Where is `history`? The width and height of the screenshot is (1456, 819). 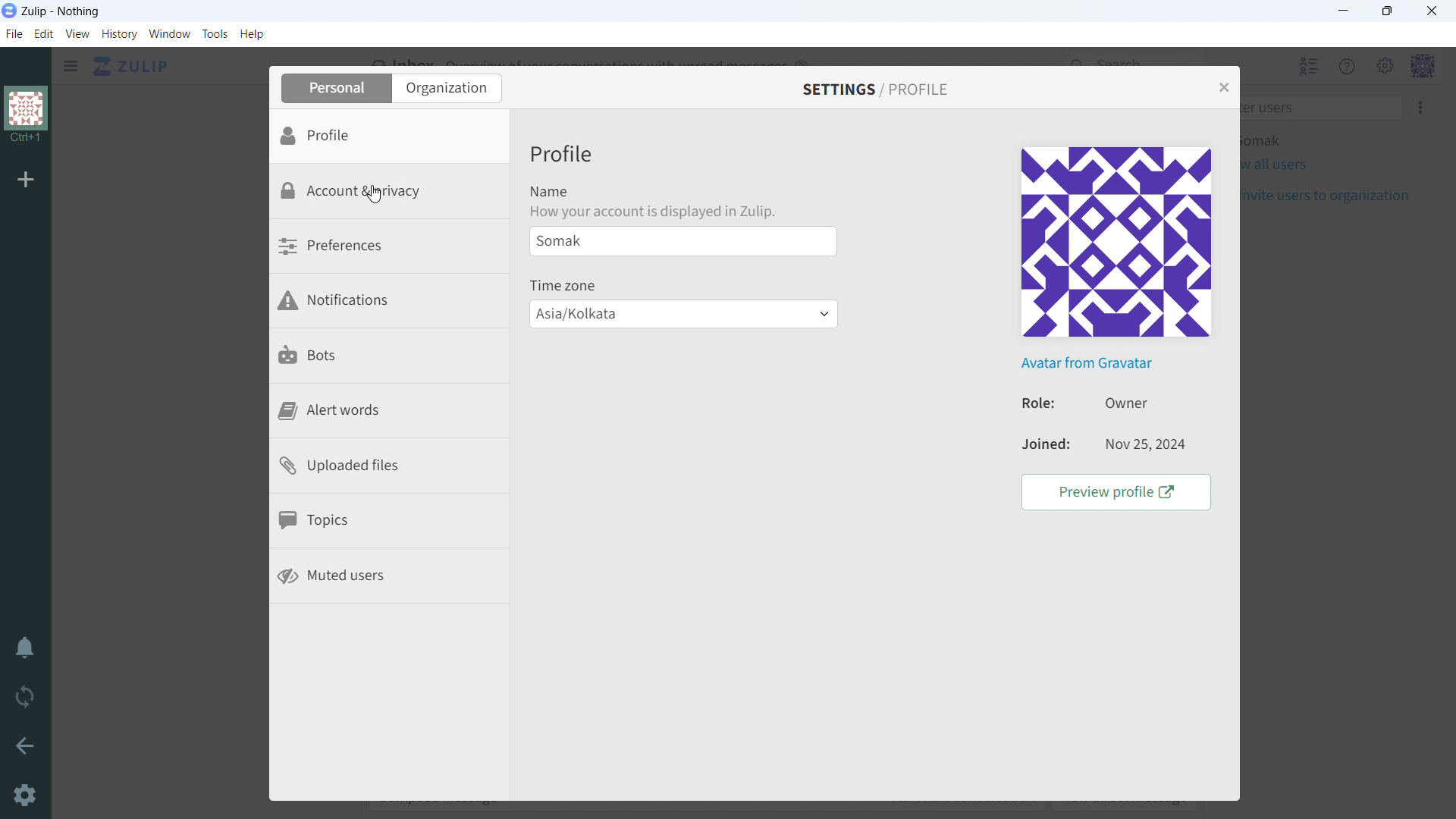
history is located at coordinates (120, 34).